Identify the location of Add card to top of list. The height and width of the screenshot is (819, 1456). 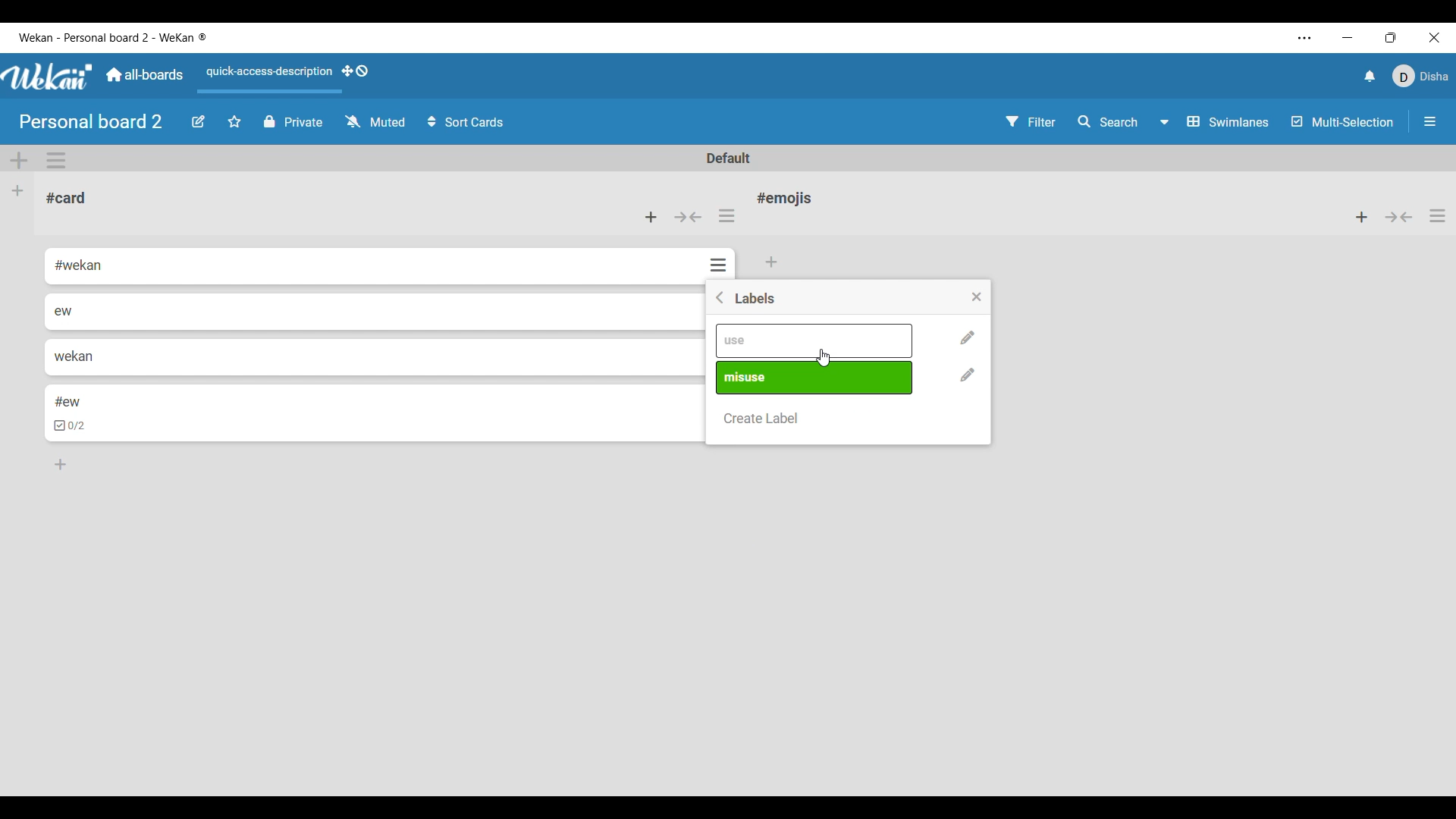
(651, 217).